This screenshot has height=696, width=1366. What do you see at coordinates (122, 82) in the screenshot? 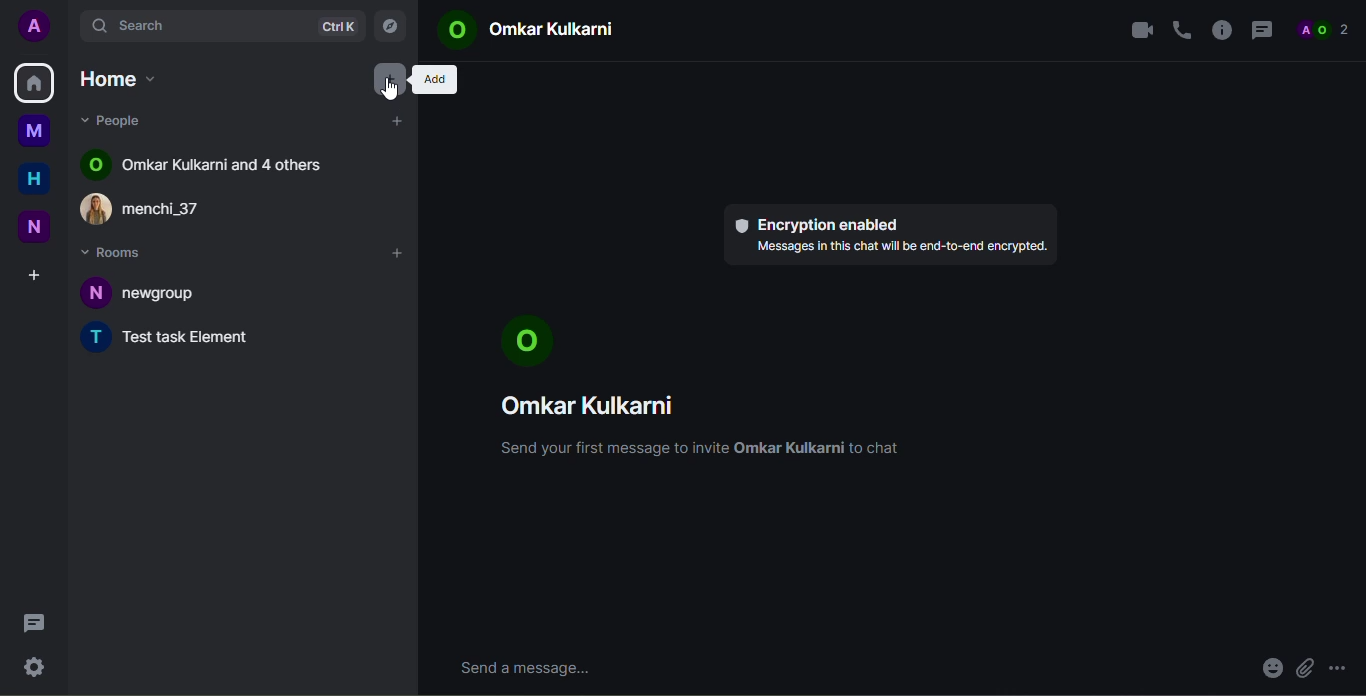
I see `home` at bounding box center [122, 82].